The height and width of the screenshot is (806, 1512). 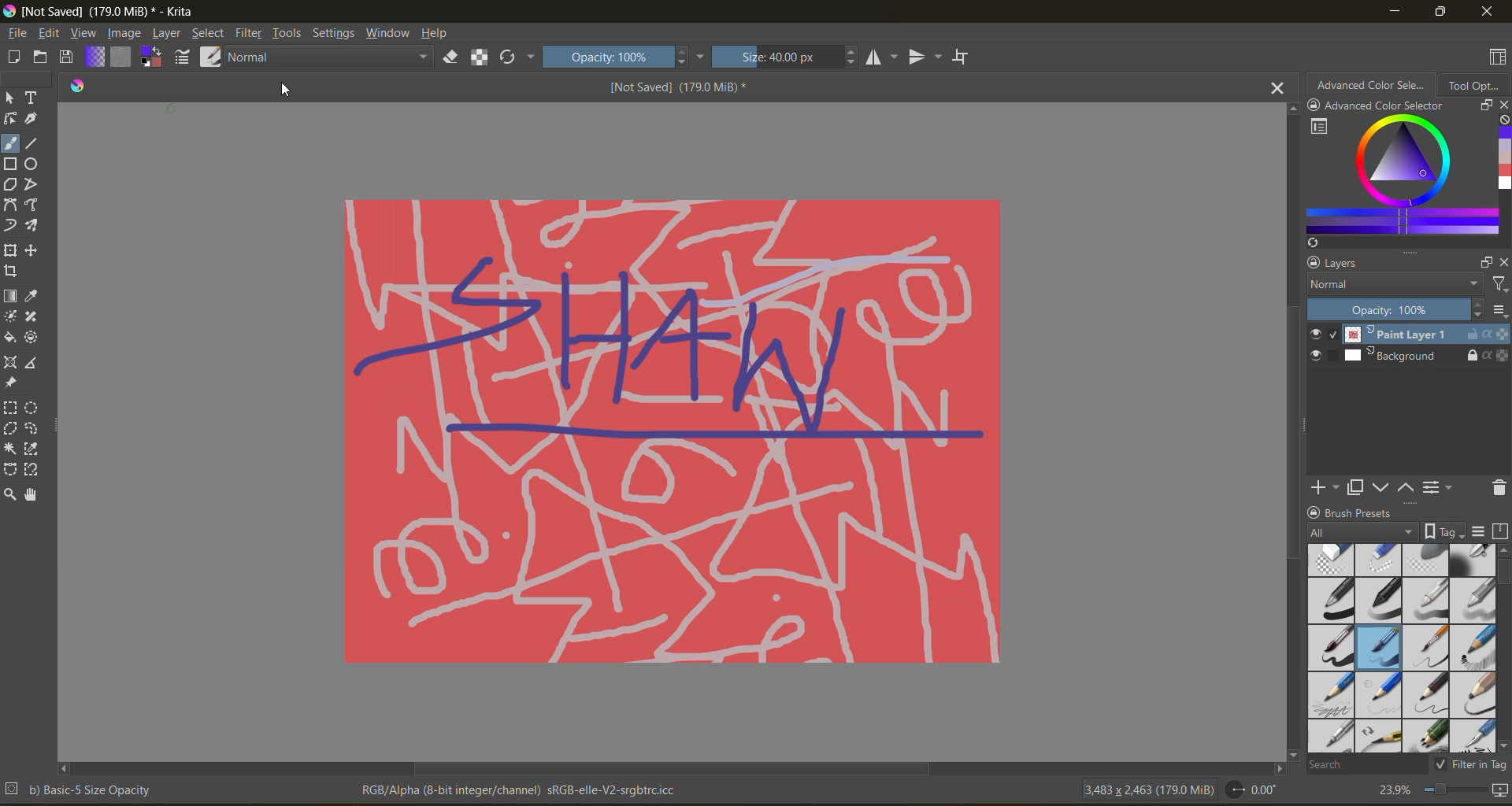 I want to click on preserve alpha, so click(x=481, y=57).